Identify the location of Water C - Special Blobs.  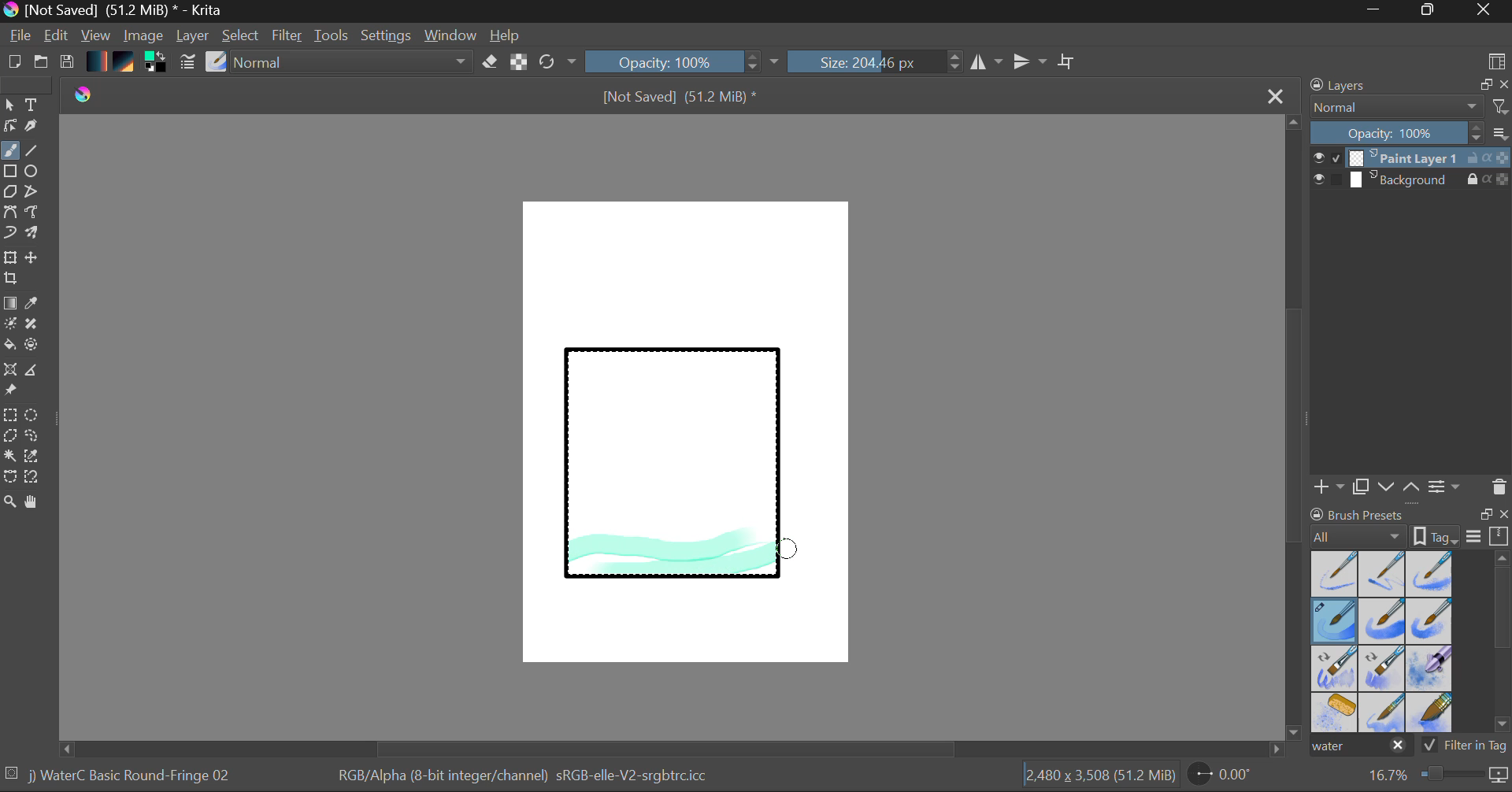
(1430, 670).